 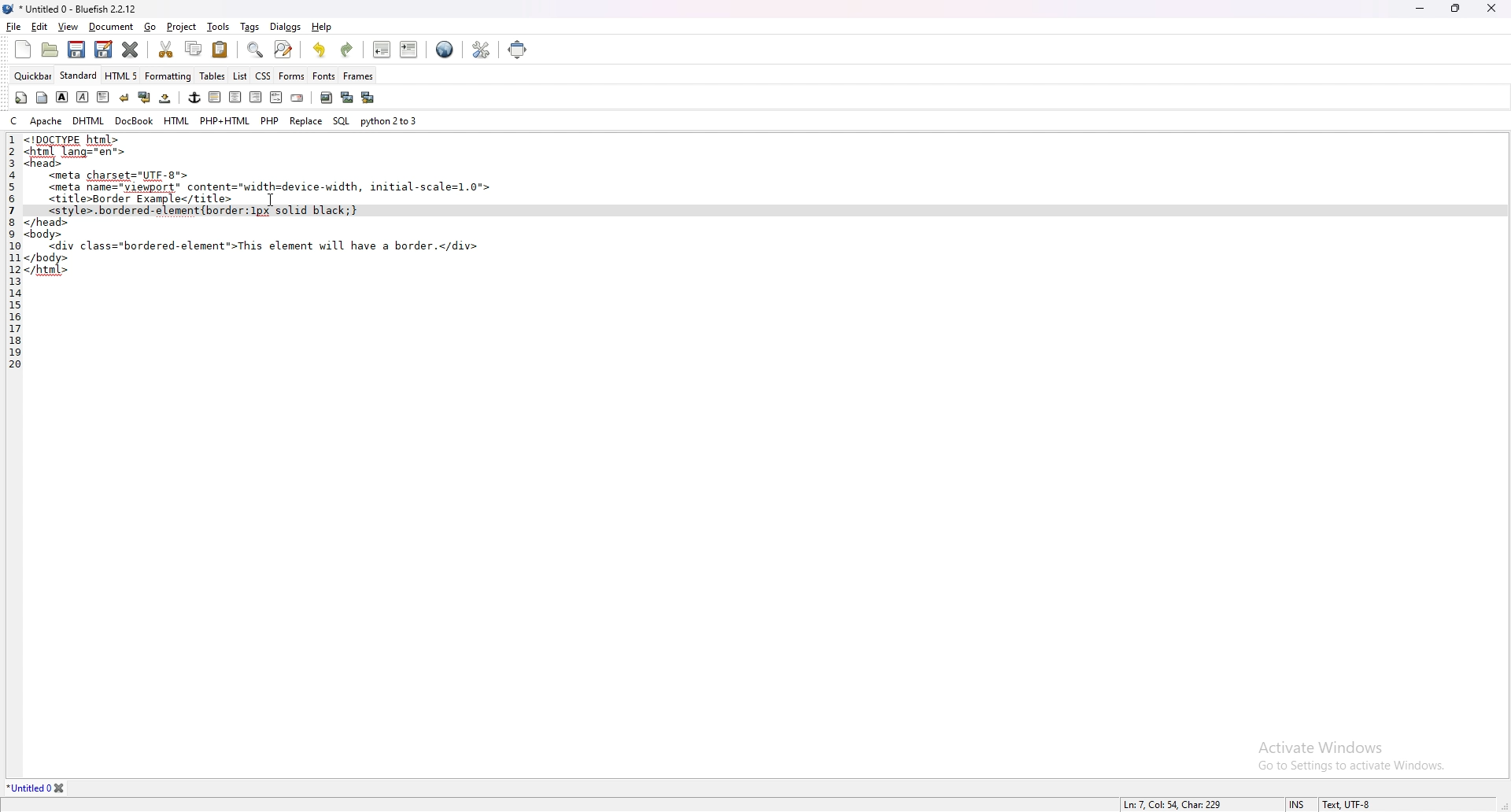 What do you see at coordinates (257, 50) in the screenshot?
I see `show find bar` at bounding box center [257, 50].